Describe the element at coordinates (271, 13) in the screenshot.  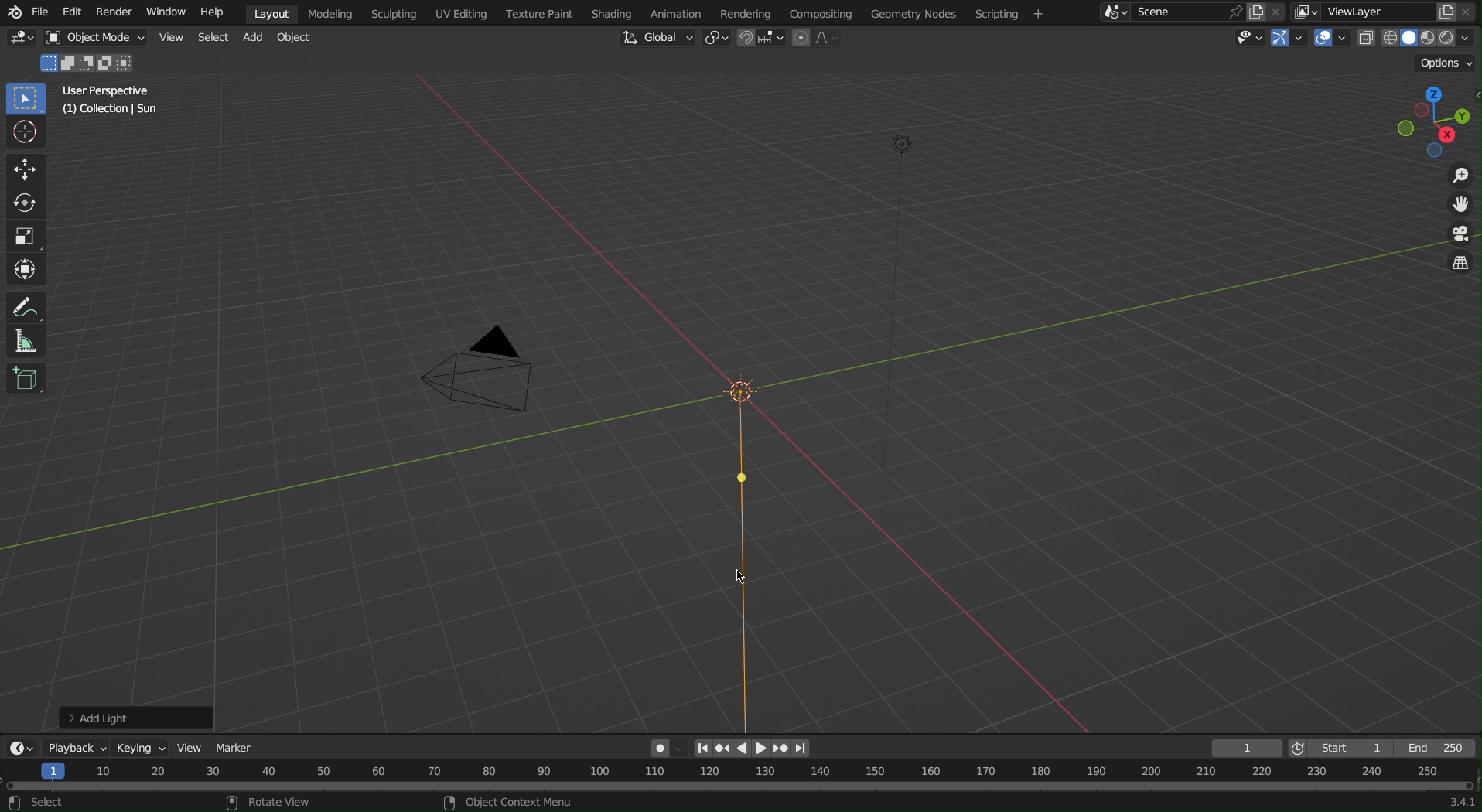
I see `Layout` at that location.